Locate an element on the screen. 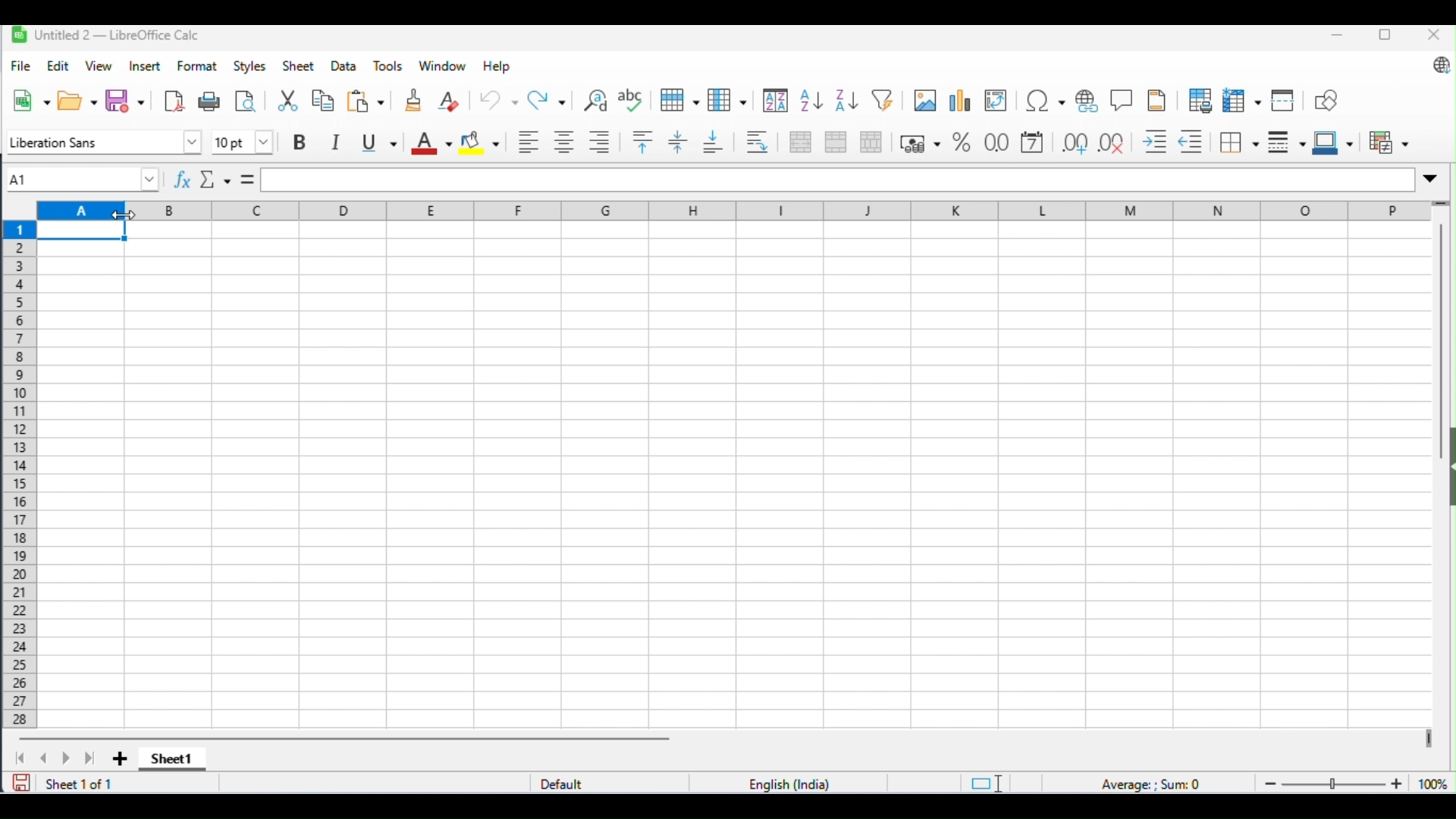  align to top is located at coordinates (643, 142).